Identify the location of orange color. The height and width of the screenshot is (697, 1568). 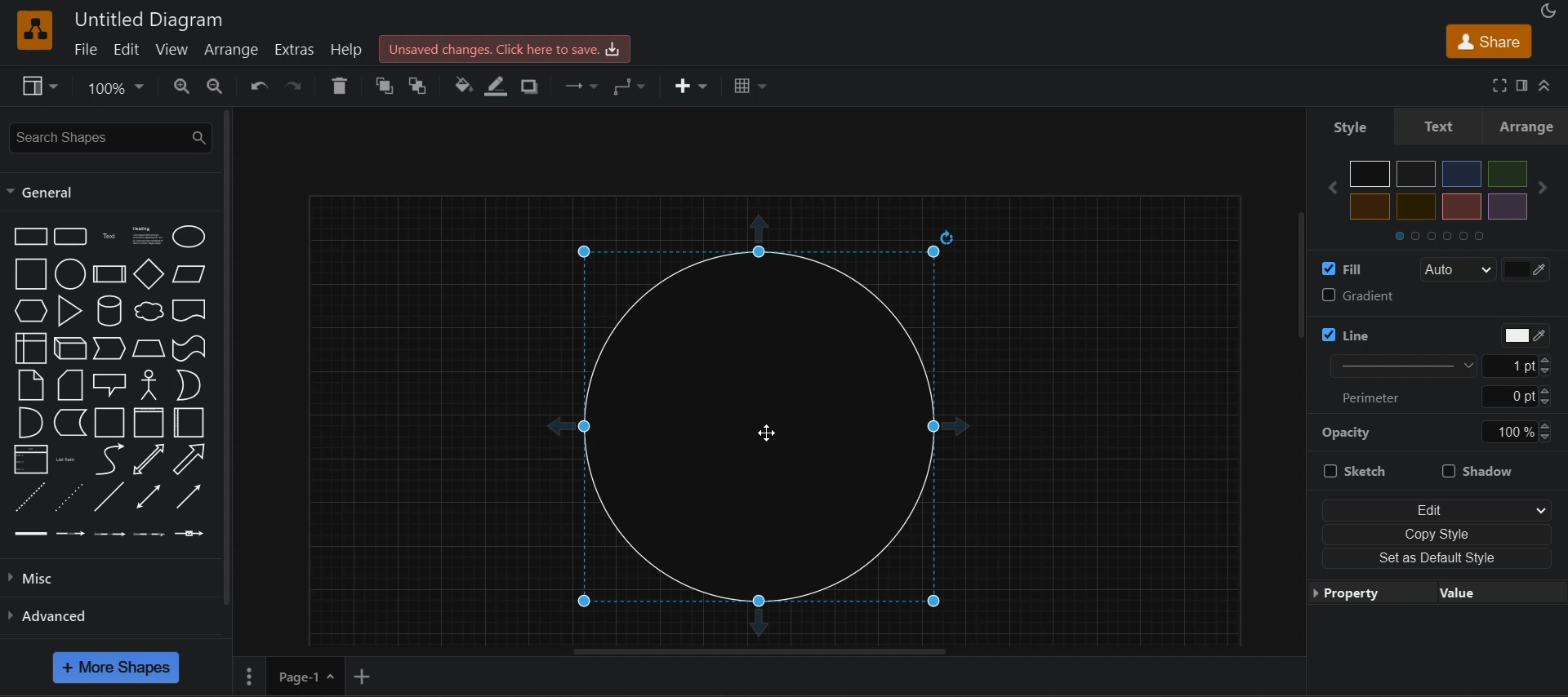
(1463, 207).